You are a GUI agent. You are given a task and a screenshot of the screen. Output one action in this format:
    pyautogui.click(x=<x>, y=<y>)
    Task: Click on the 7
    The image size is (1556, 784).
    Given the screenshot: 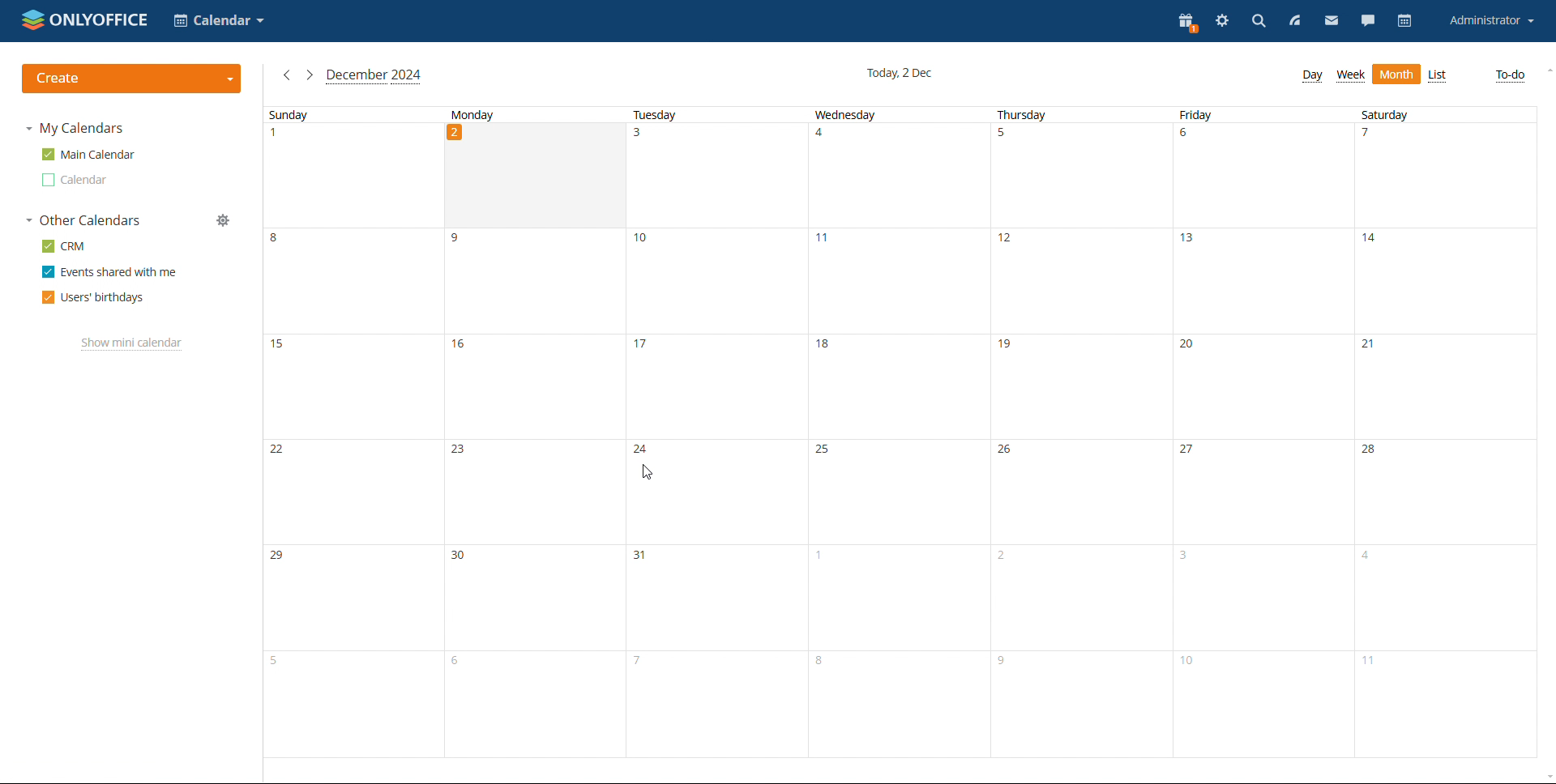 What is the action you would take?
    pyautogui.click(x=1374, y=137)
    